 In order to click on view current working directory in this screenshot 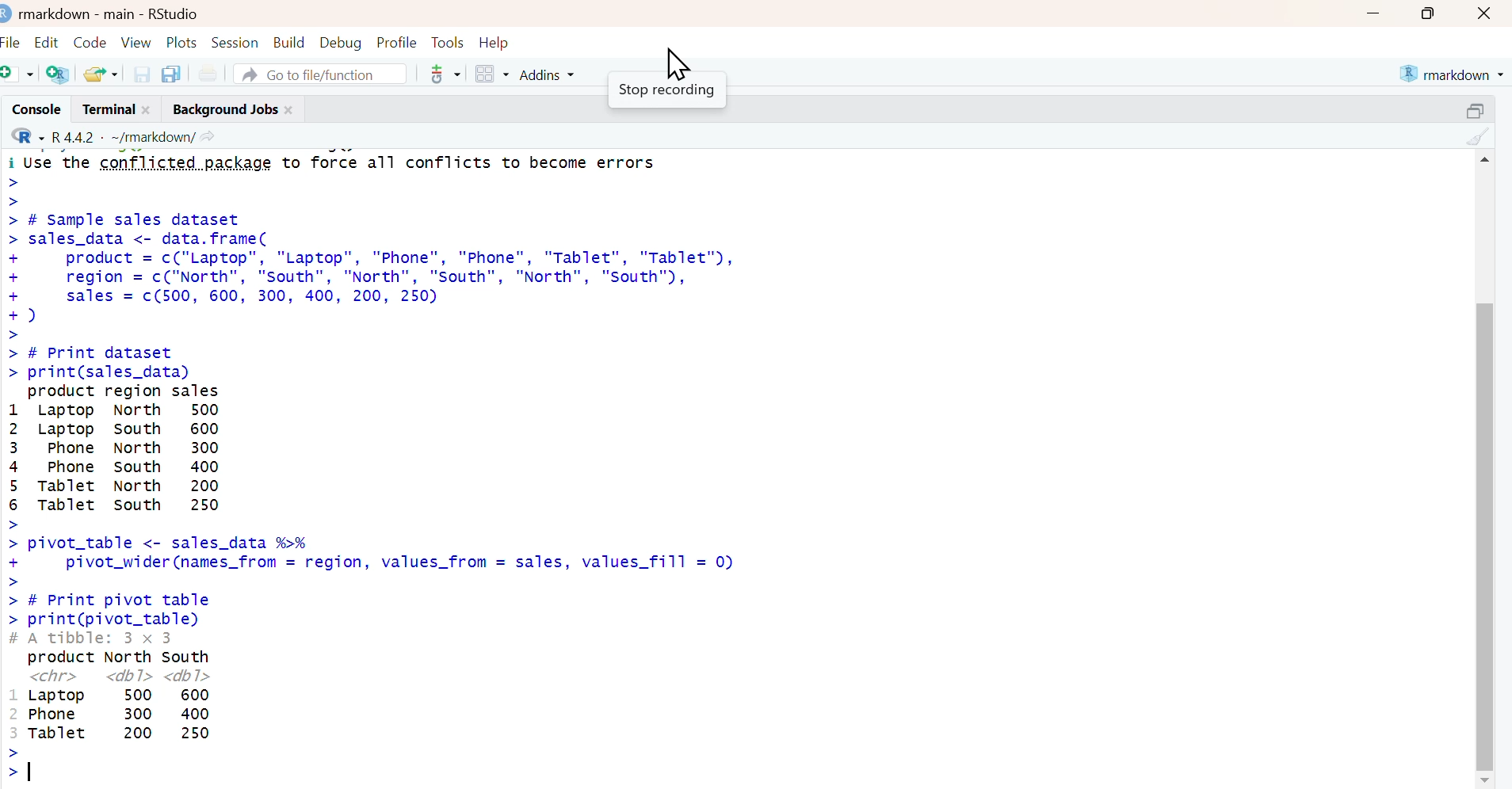, I will do `click(208, 135)`.